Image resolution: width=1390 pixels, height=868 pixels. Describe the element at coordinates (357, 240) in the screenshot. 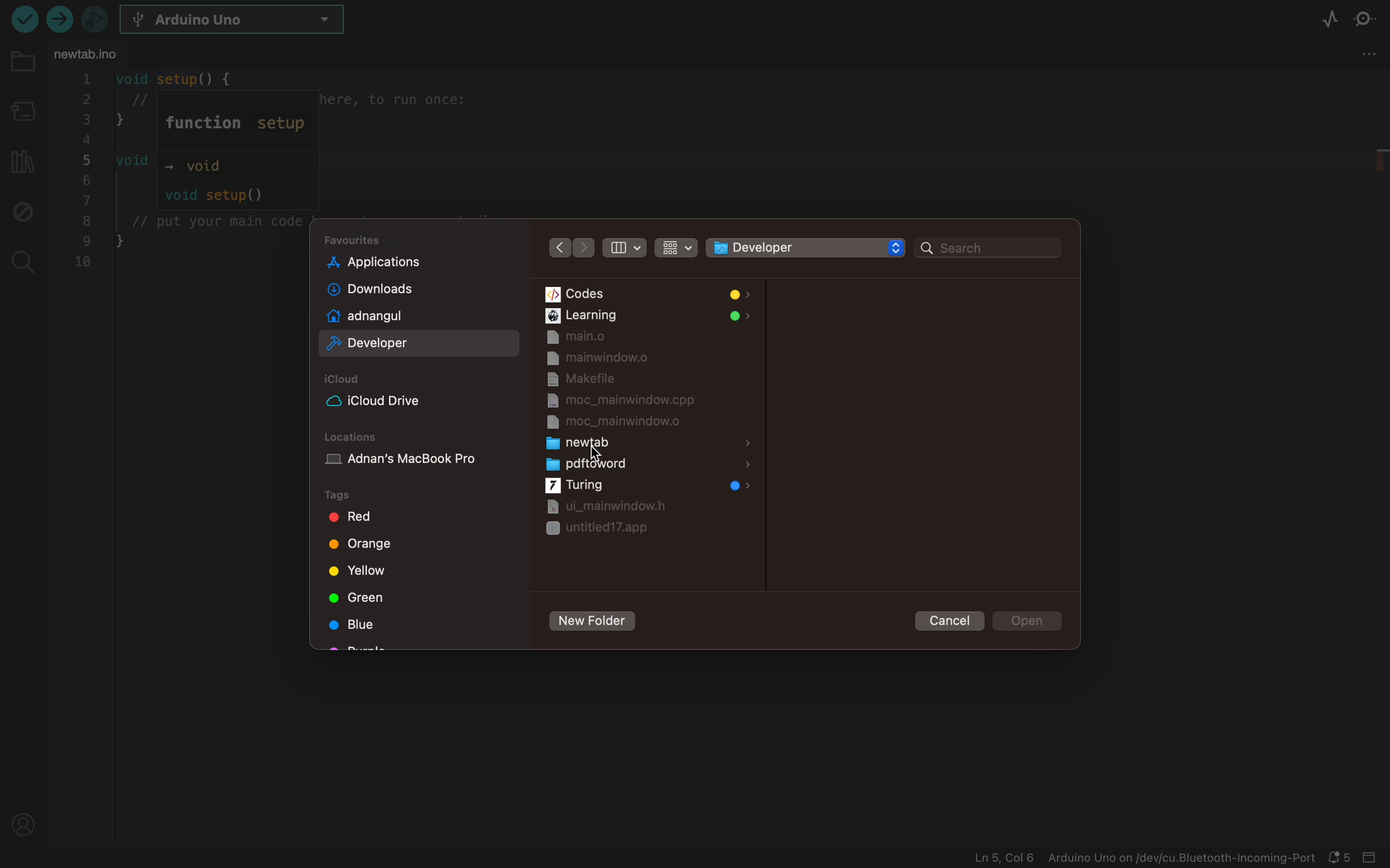

I see `favourites` at that location.